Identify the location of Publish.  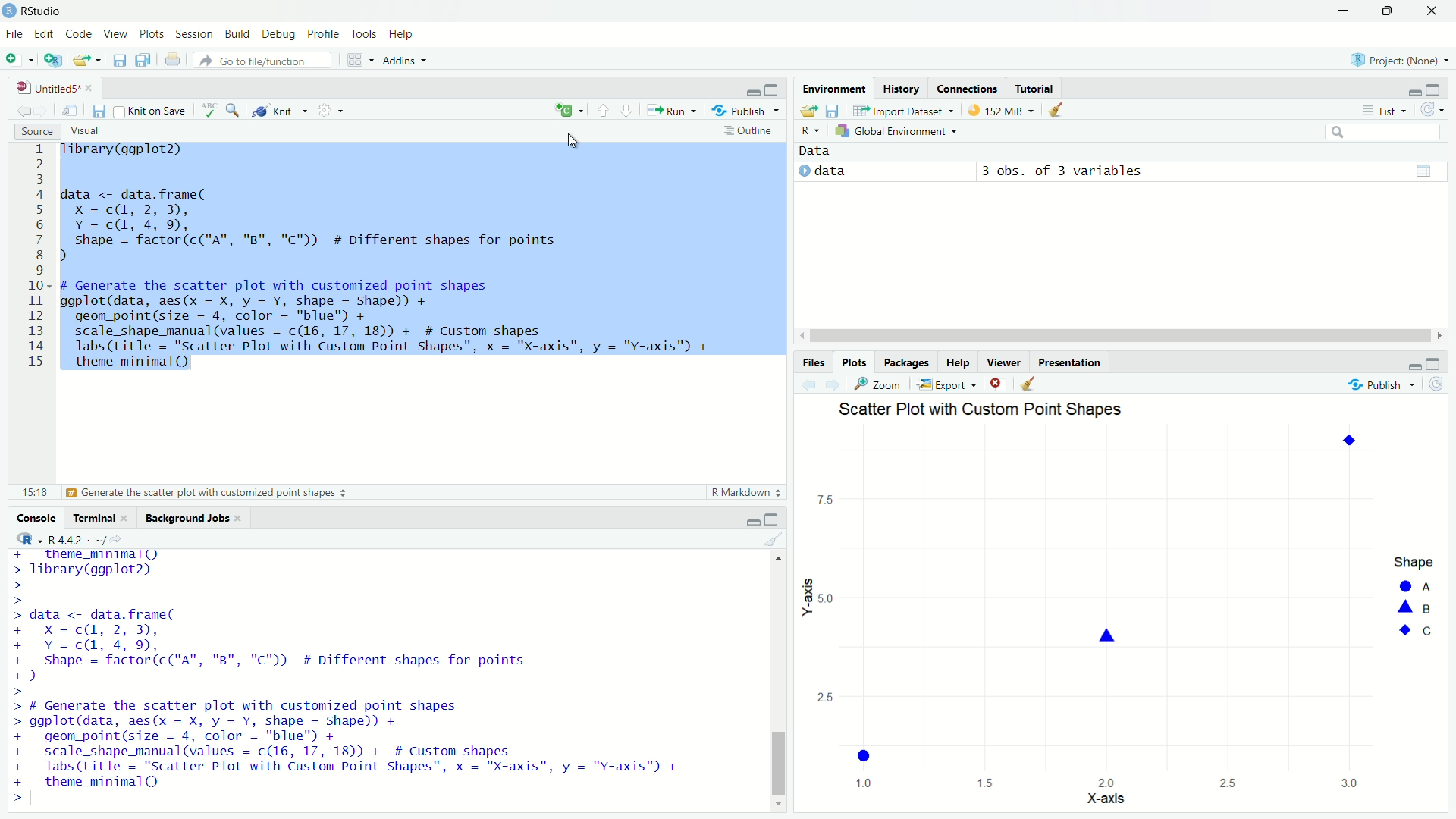
(1381, 384).